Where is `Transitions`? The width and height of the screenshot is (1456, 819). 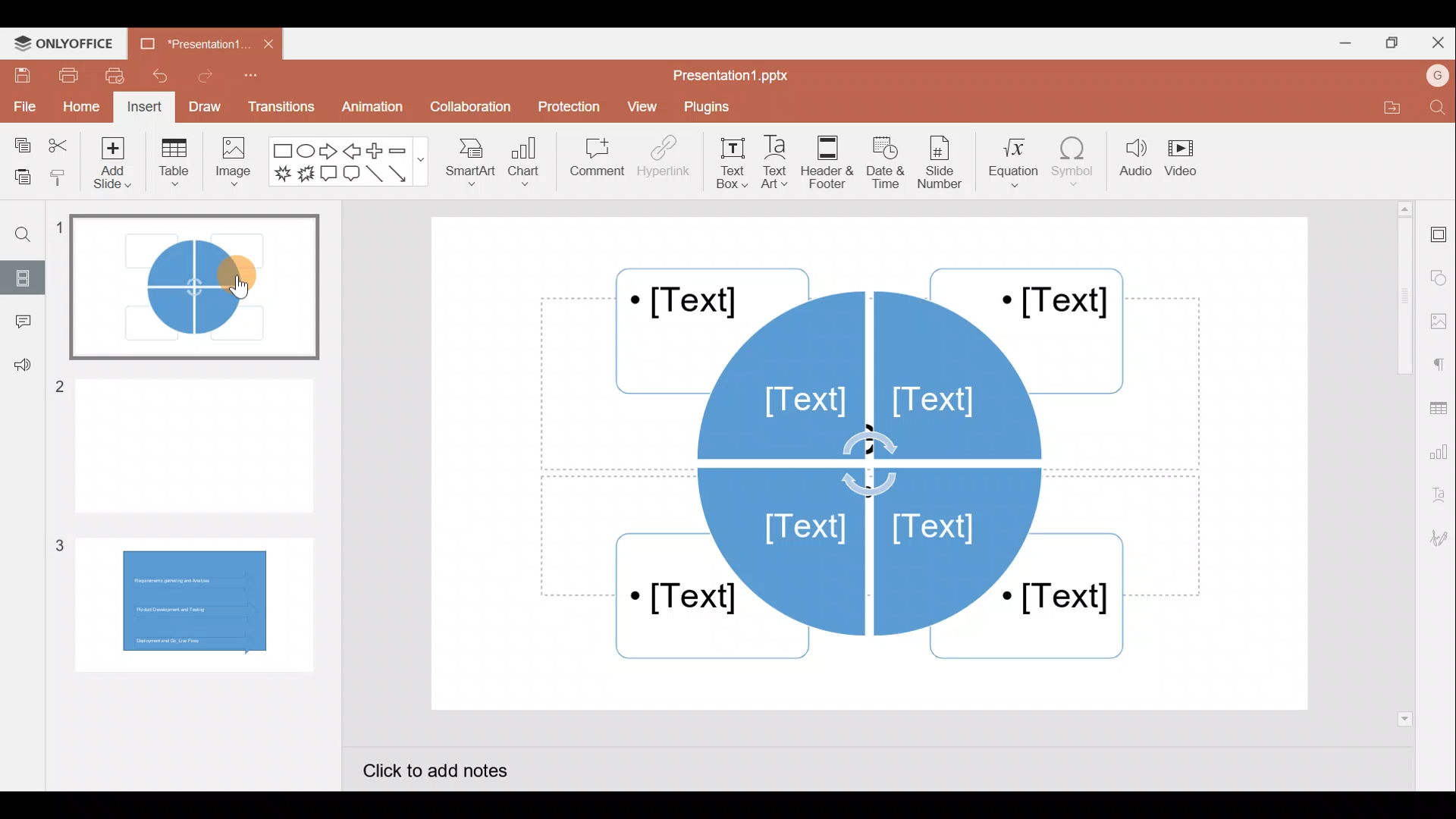 Transitions is located at coordinates (279, 106).